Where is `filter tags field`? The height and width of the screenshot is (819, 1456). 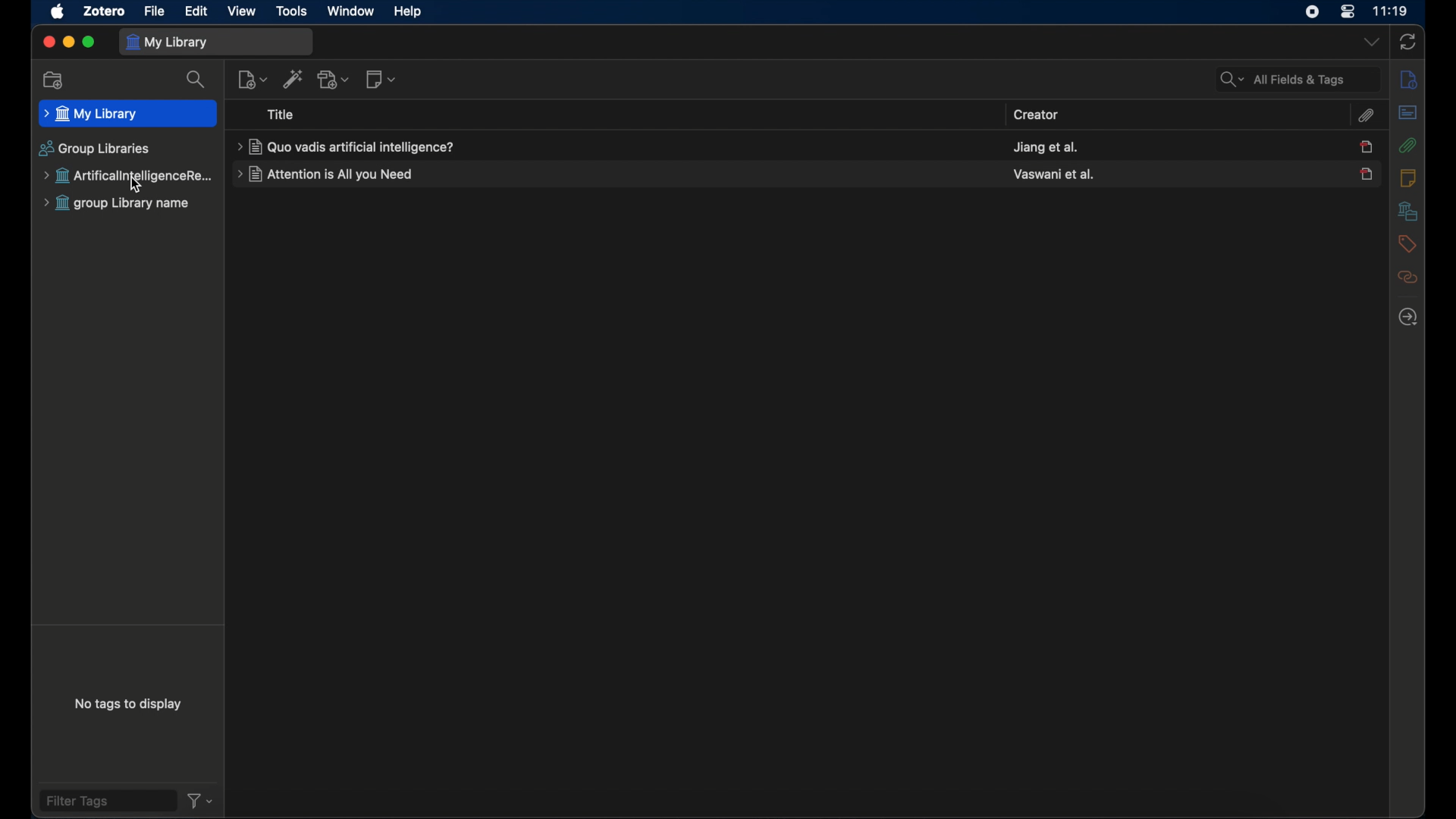 filter tags field is located at coordinates (108, 801).